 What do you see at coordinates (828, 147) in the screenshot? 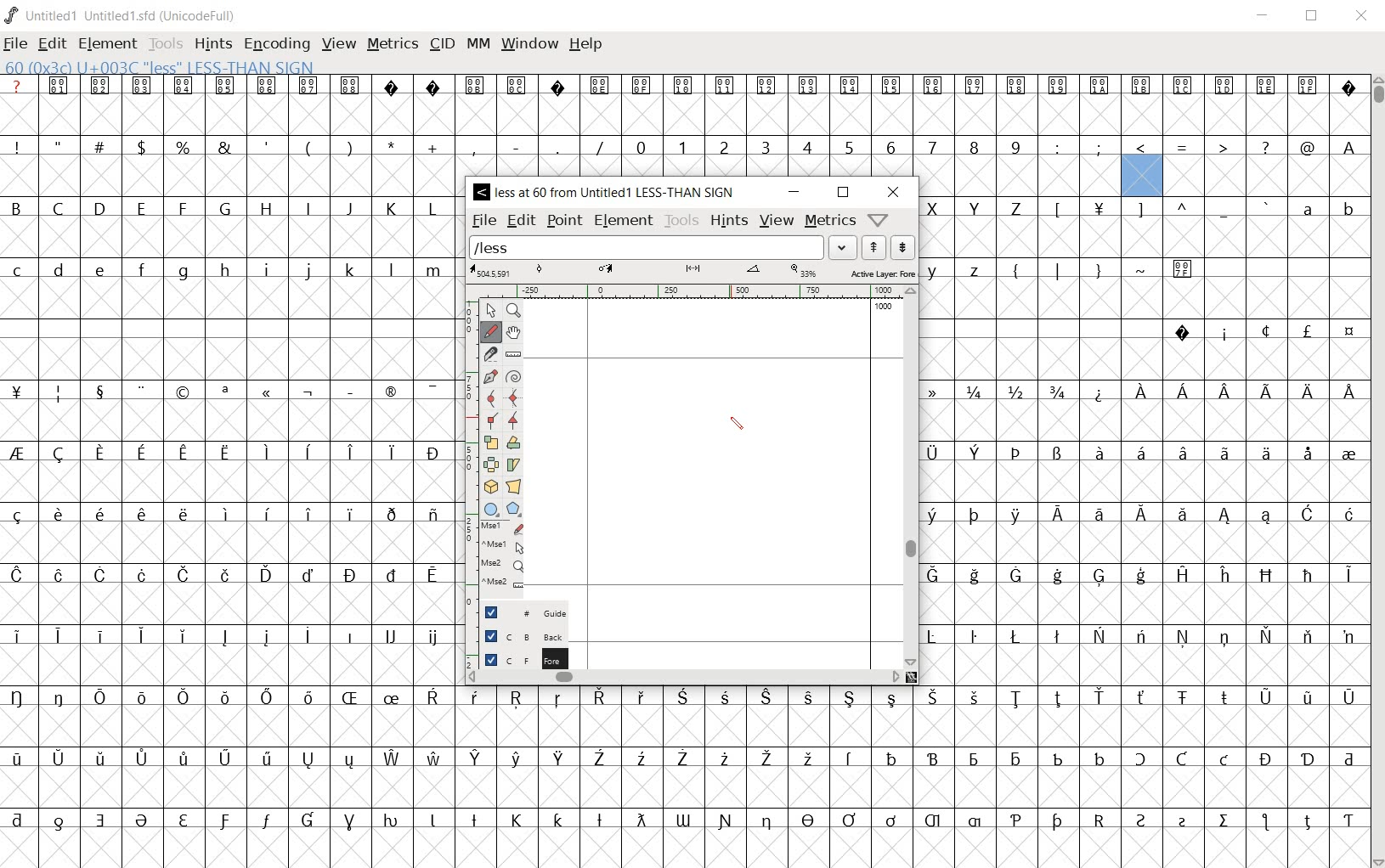
I see `number 0 - 9` at bounding box center [828, 147].